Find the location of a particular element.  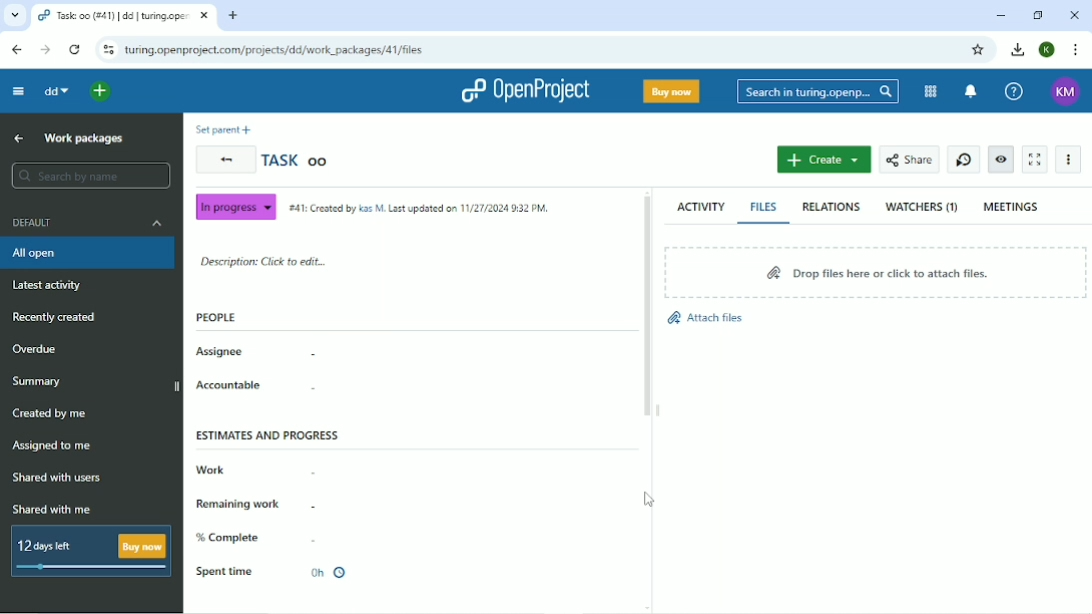

- is located at coordinates (316, 390).